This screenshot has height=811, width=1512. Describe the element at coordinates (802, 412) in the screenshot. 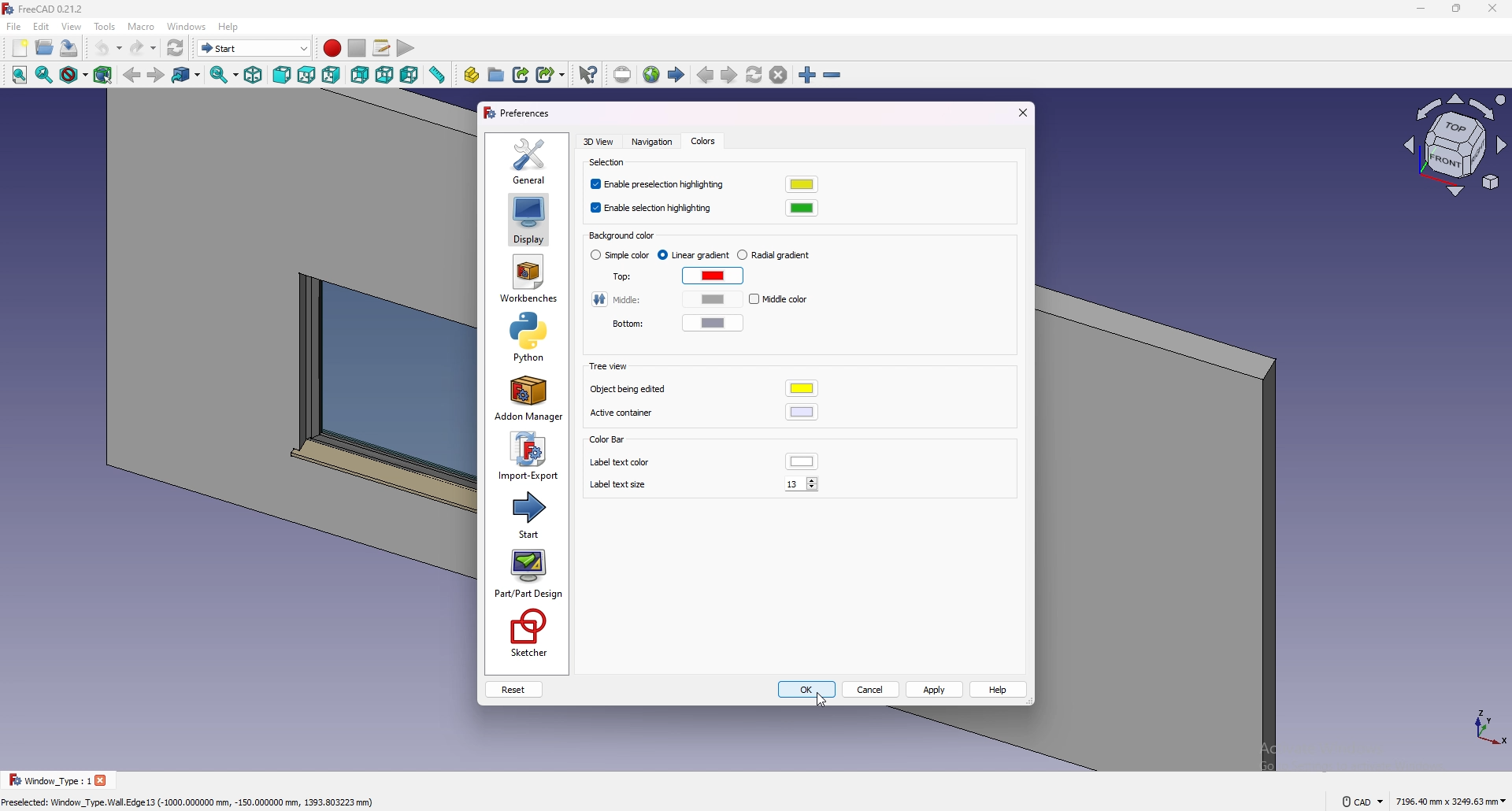

I see `active container color` at that location.